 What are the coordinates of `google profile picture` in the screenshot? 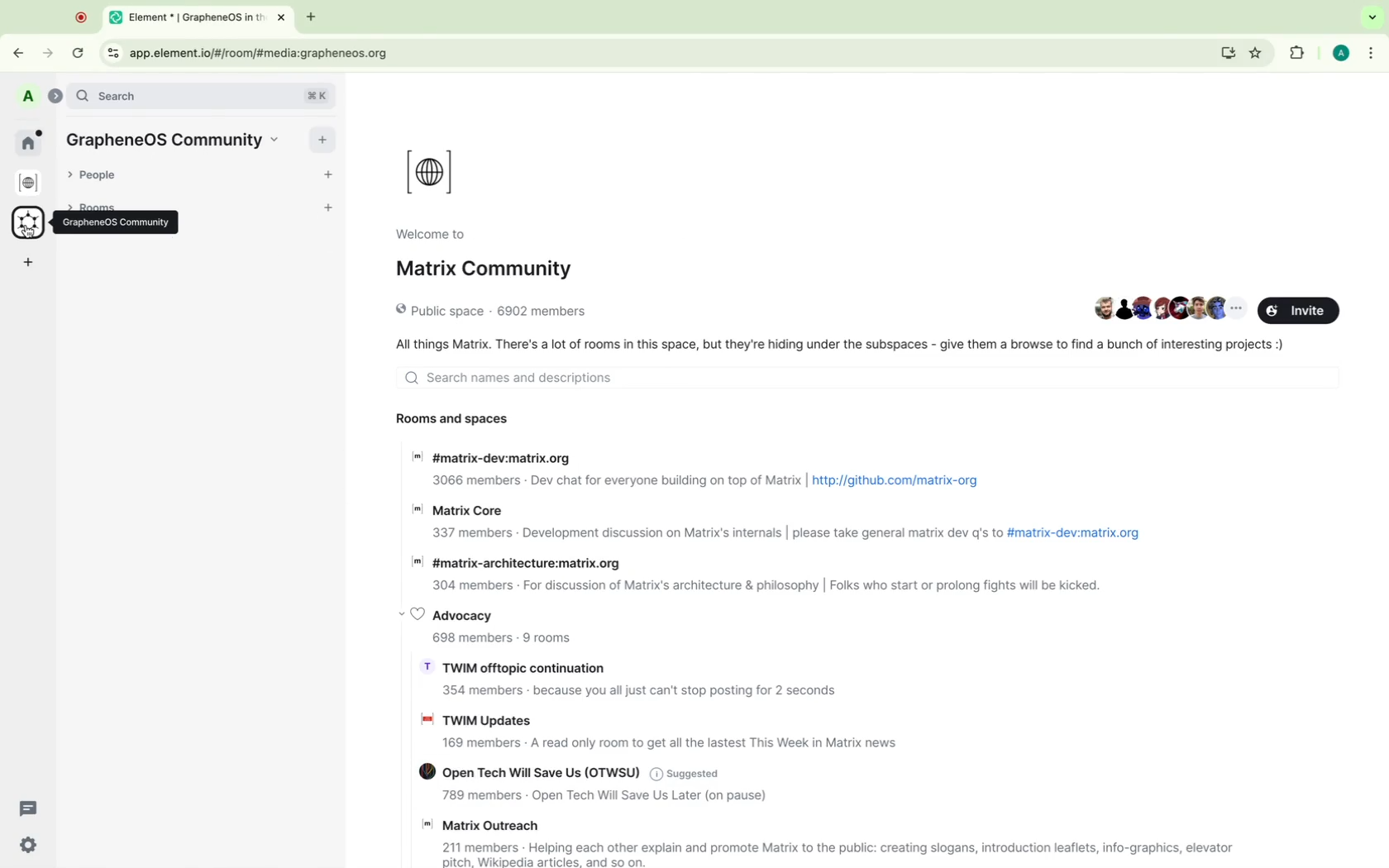 It's located at (1339, 52).